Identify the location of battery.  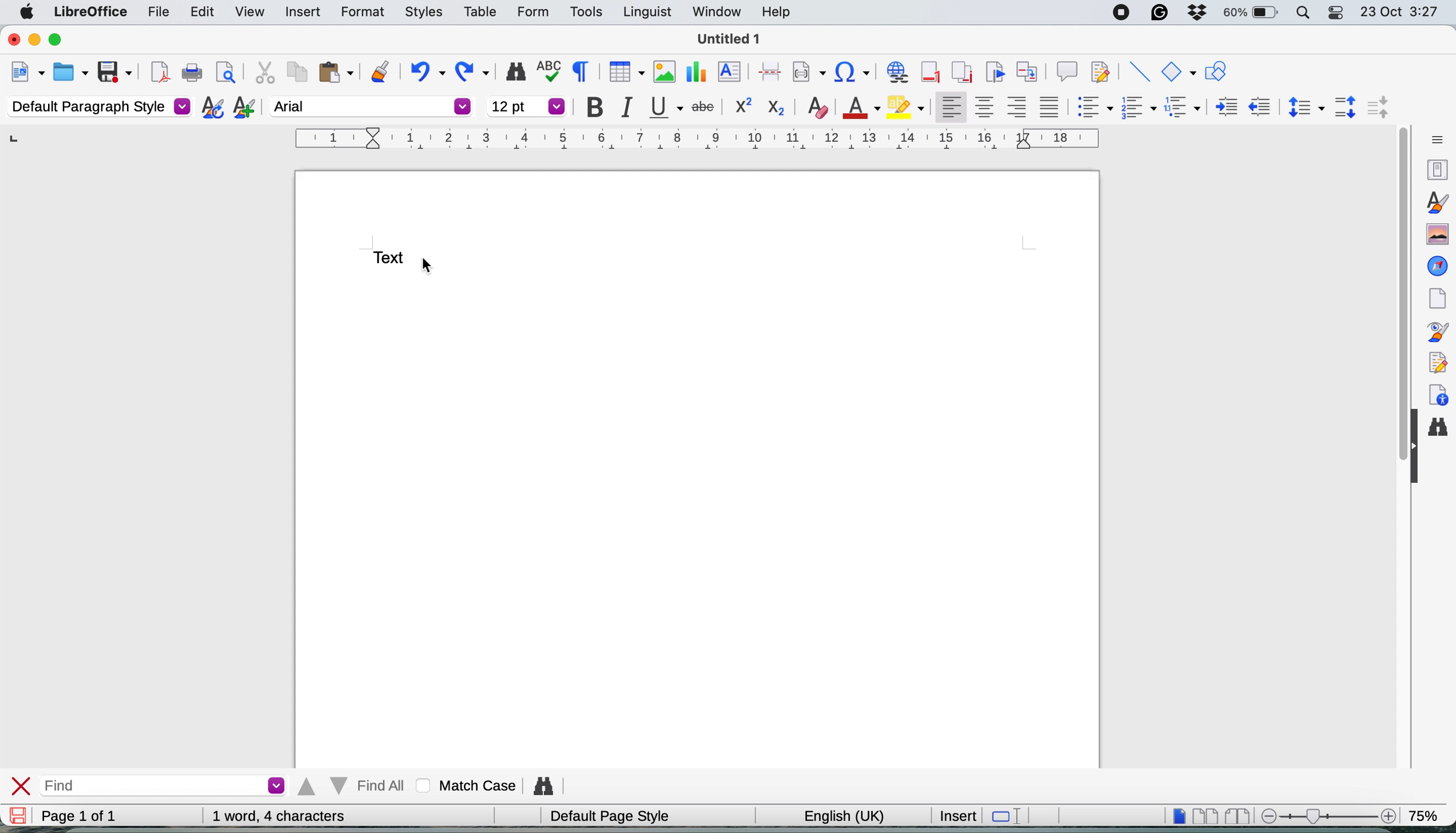
(1250, 14).